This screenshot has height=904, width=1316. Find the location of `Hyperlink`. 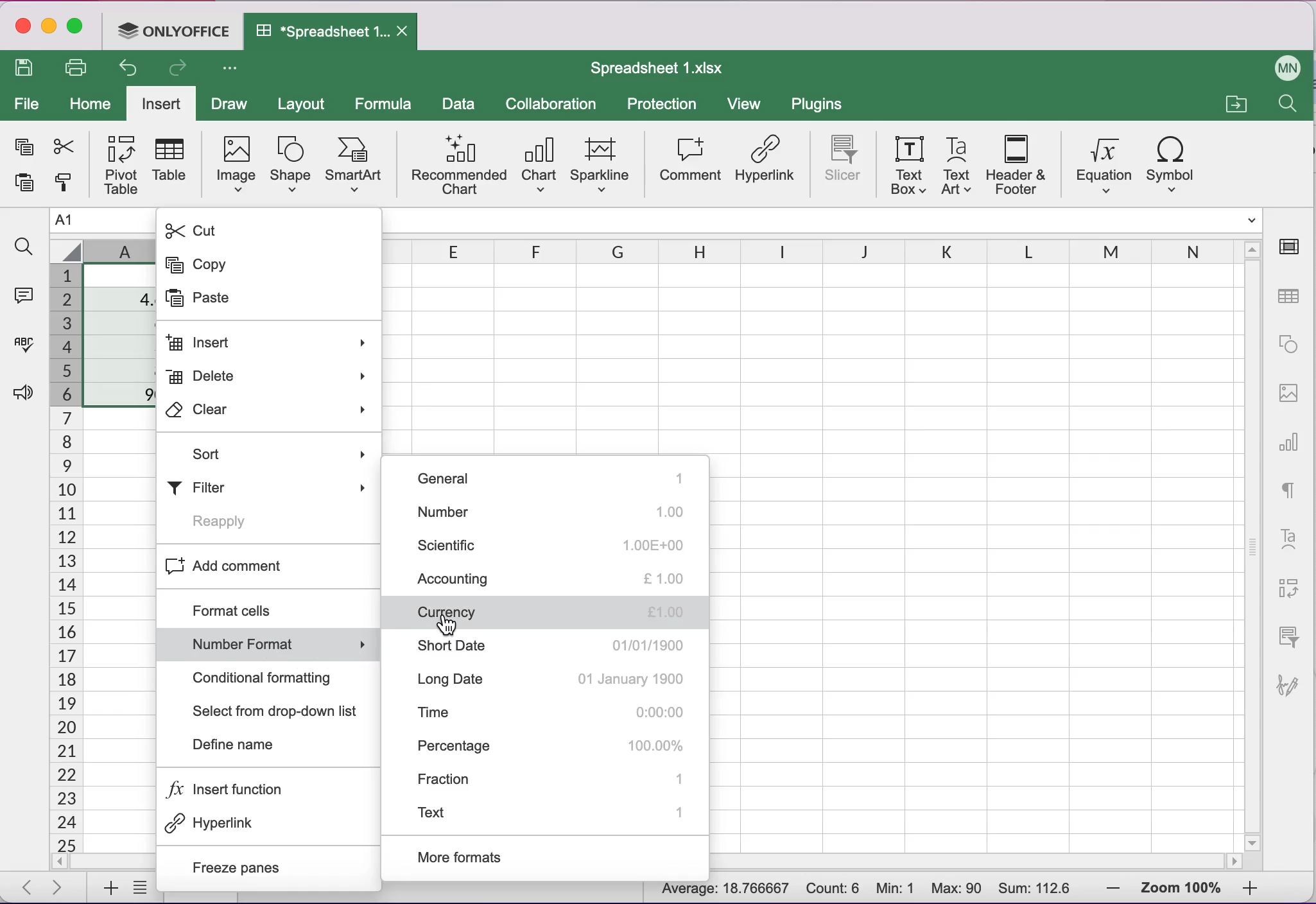

Hyperlink is located at coordinates (261, 824).